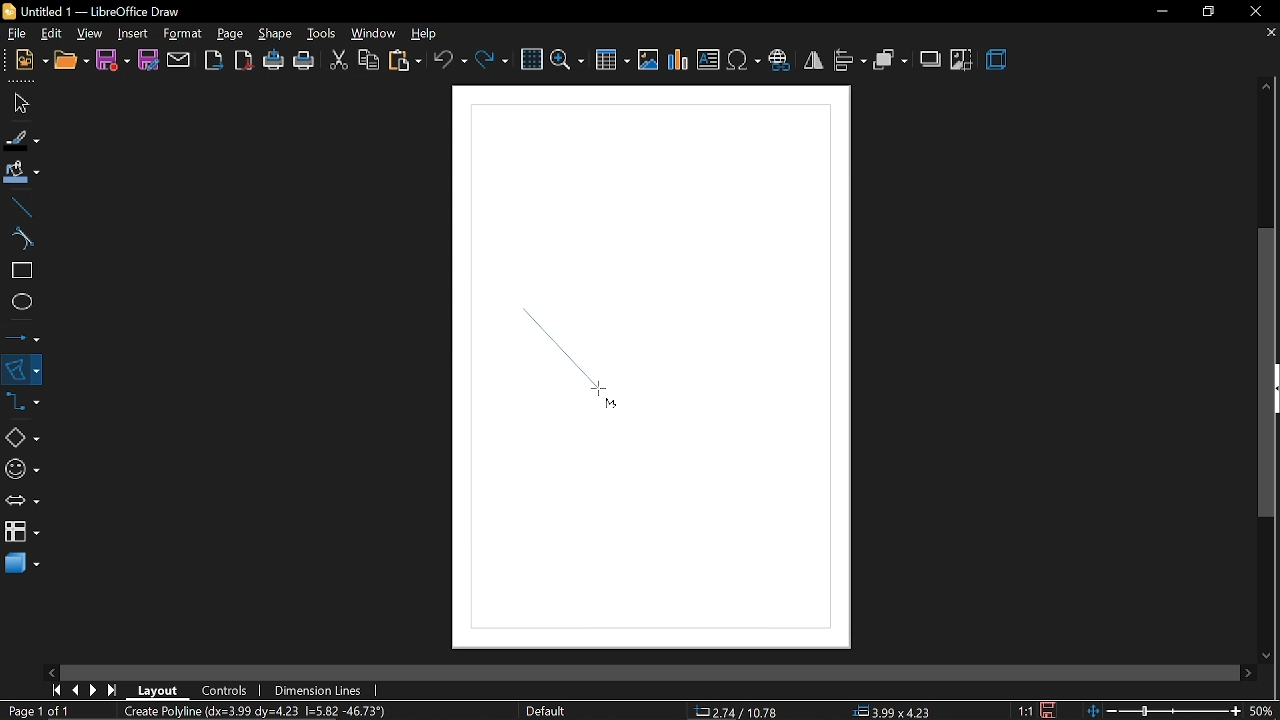  What do you see at coordinates (1268, 653) in the screenshot?
I see `move down` at bounding box center [1268, 653].